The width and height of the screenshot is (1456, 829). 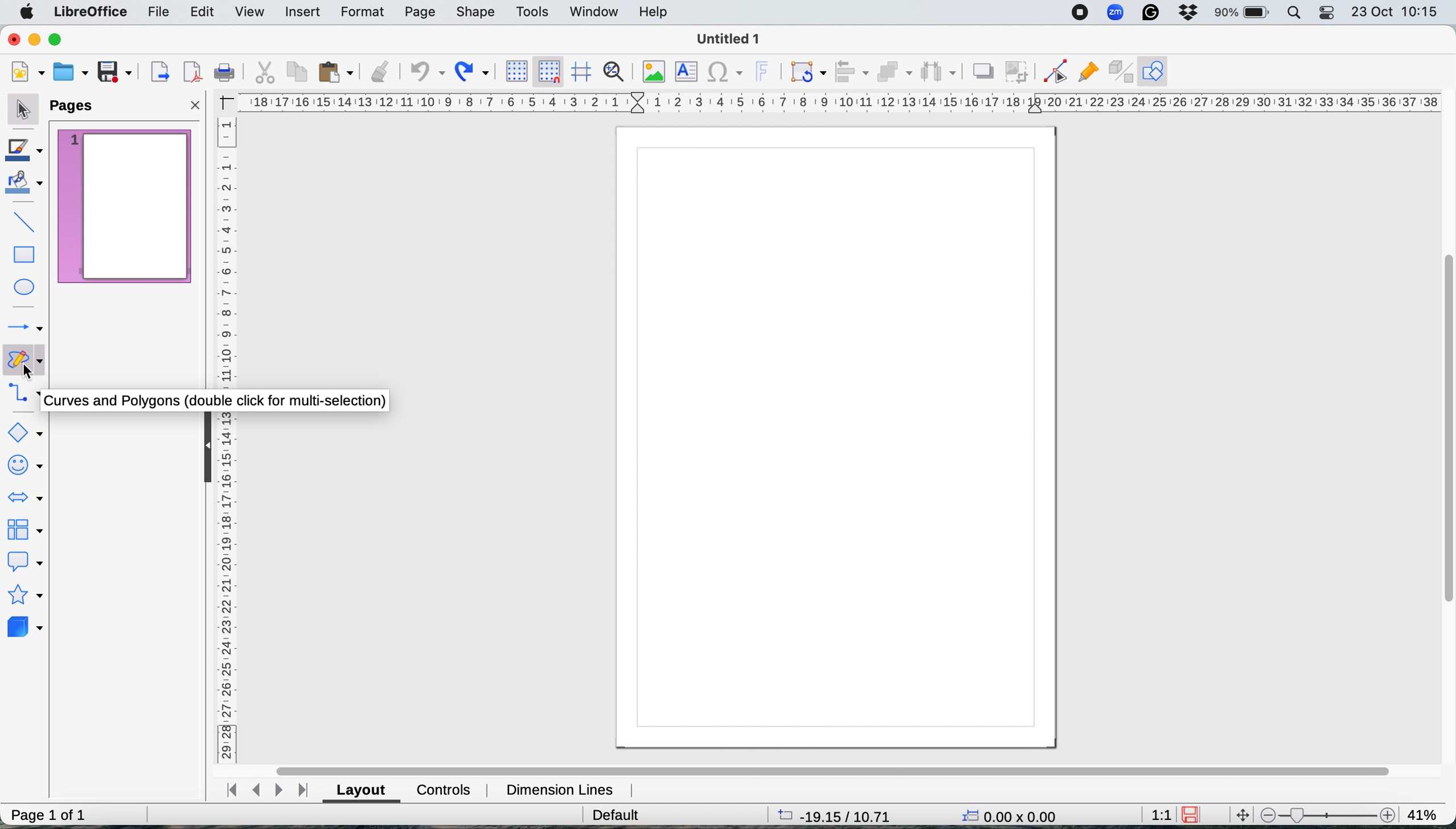 What do you see at coordinates (580, 72) in the screenshot?
I see `helplines when moving` at bounding box center [580, 72].